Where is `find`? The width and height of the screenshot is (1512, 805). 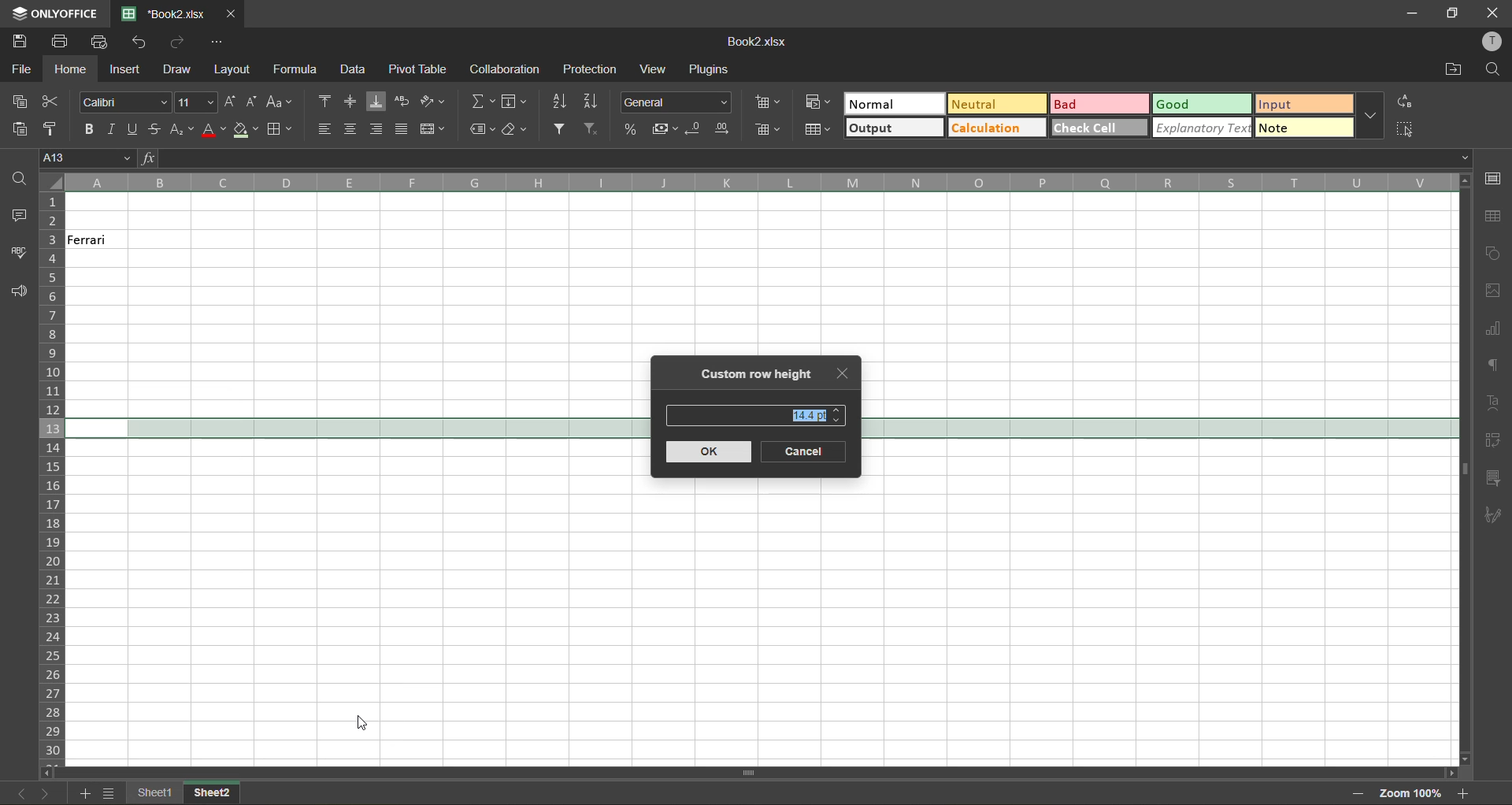
find is located at coordinates (1495, 70).